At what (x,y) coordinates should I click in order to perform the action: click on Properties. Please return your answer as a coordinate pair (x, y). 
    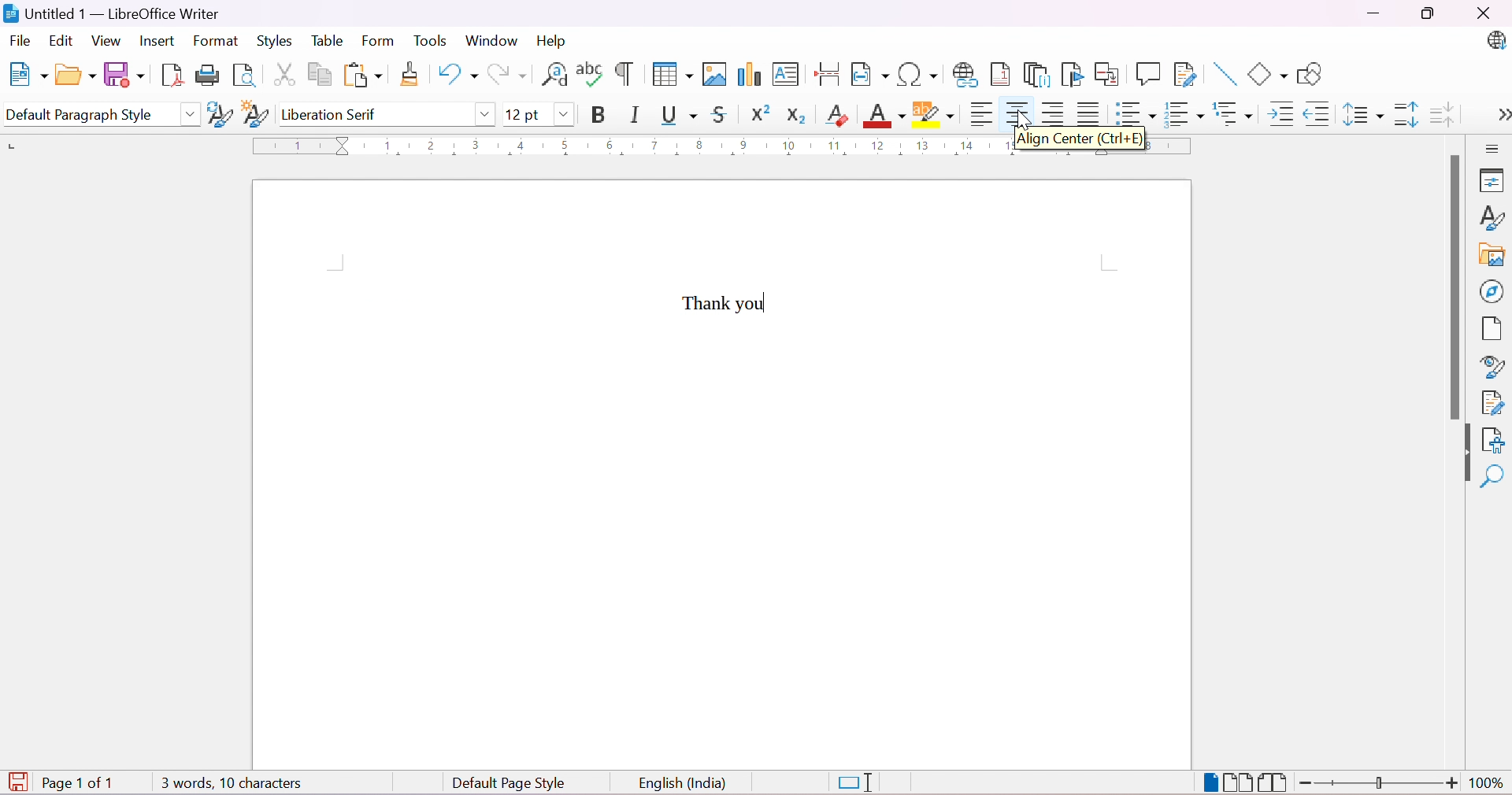
    Looking at the image, I should click on (1493, 181).